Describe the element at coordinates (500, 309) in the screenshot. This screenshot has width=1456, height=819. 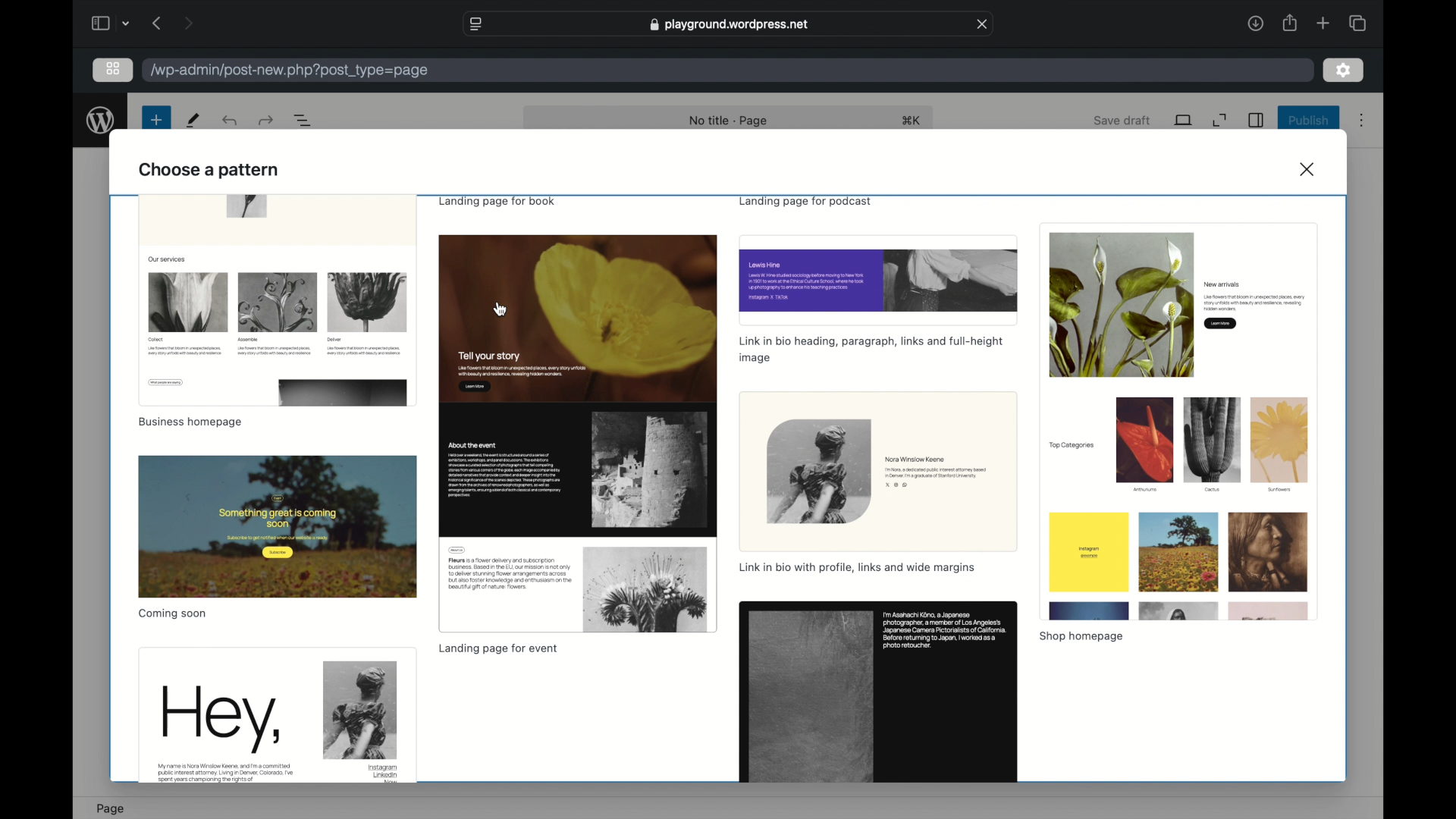
I see `cursor` at that location.